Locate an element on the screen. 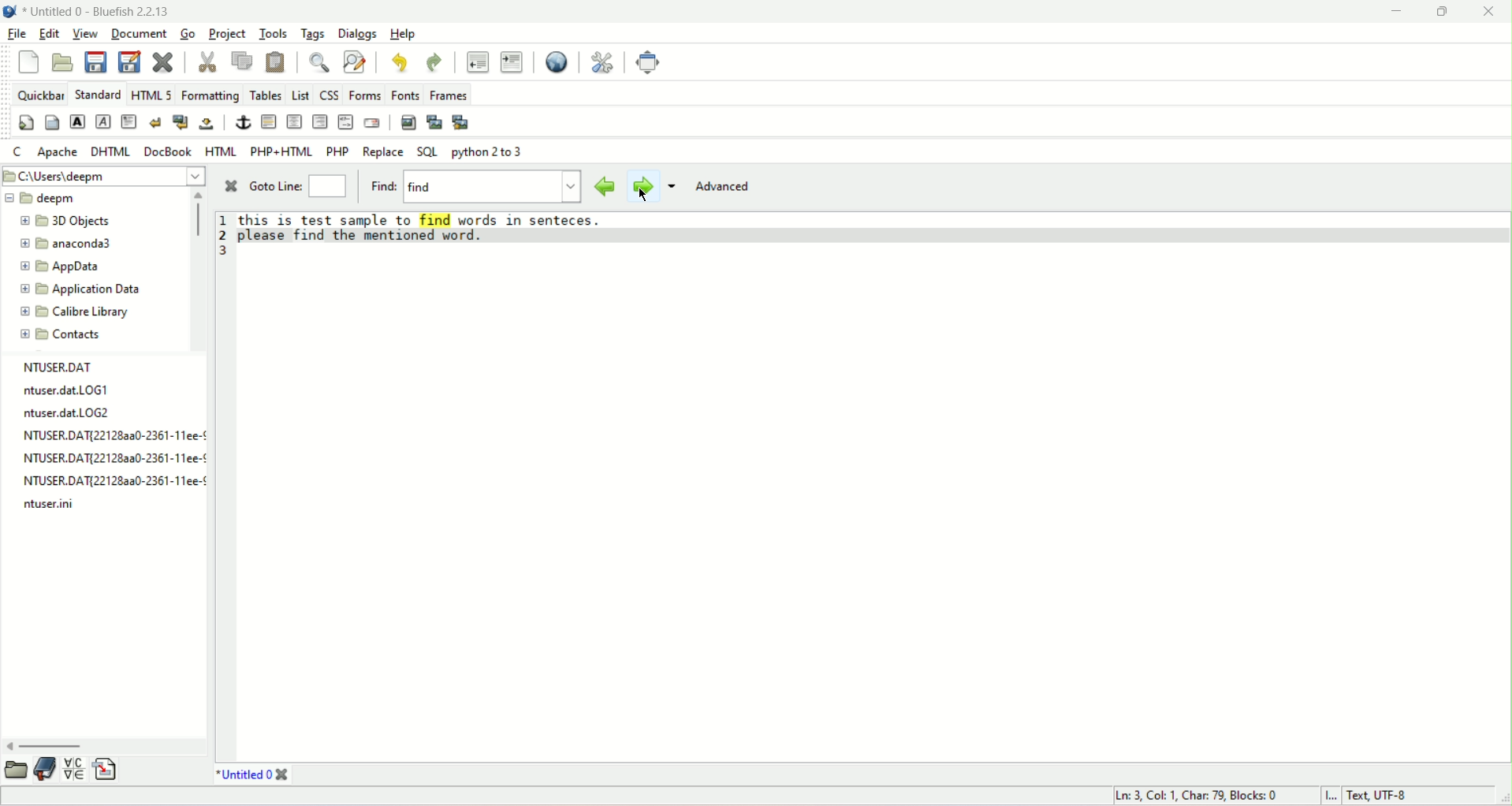  standard is located at coordinates (98, 94).